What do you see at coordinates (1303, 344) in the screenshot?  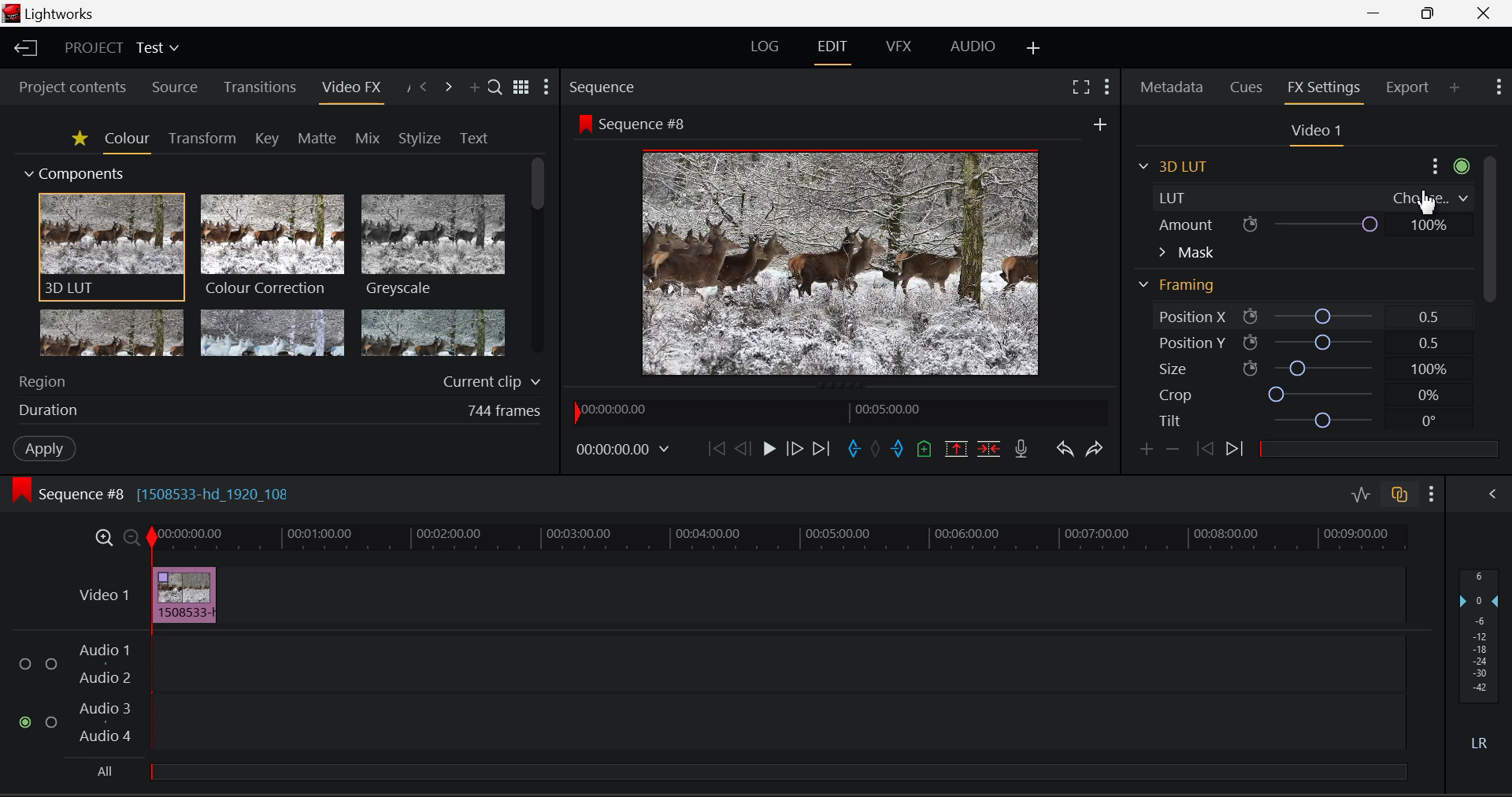 I see `Position Y` at bounding box center [1303, 344].